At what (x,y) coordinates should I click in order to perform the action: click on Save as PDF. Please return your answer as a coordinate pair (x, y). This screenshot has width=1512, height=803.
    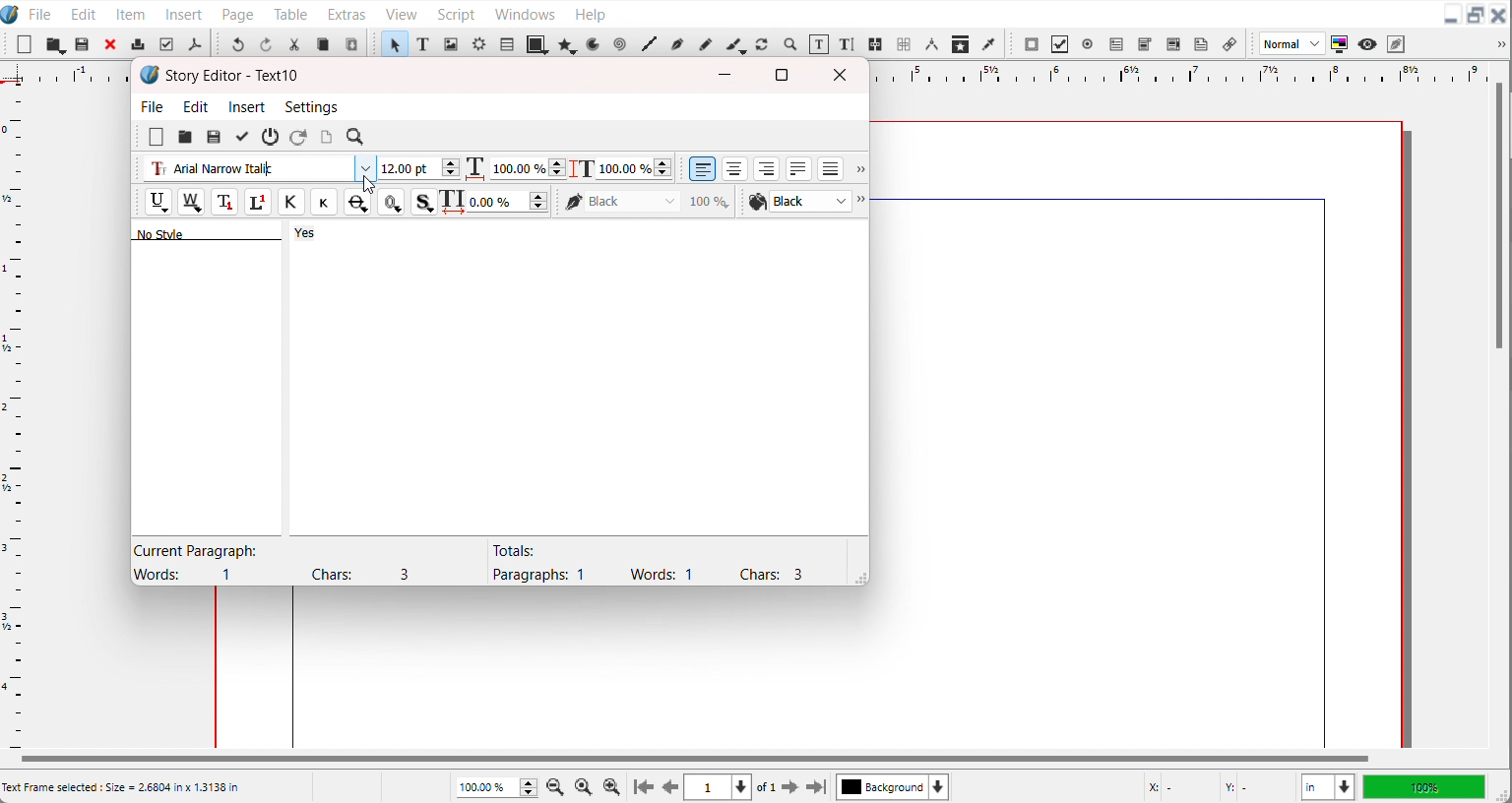
    Looking at the image, I should click on (194, 44).